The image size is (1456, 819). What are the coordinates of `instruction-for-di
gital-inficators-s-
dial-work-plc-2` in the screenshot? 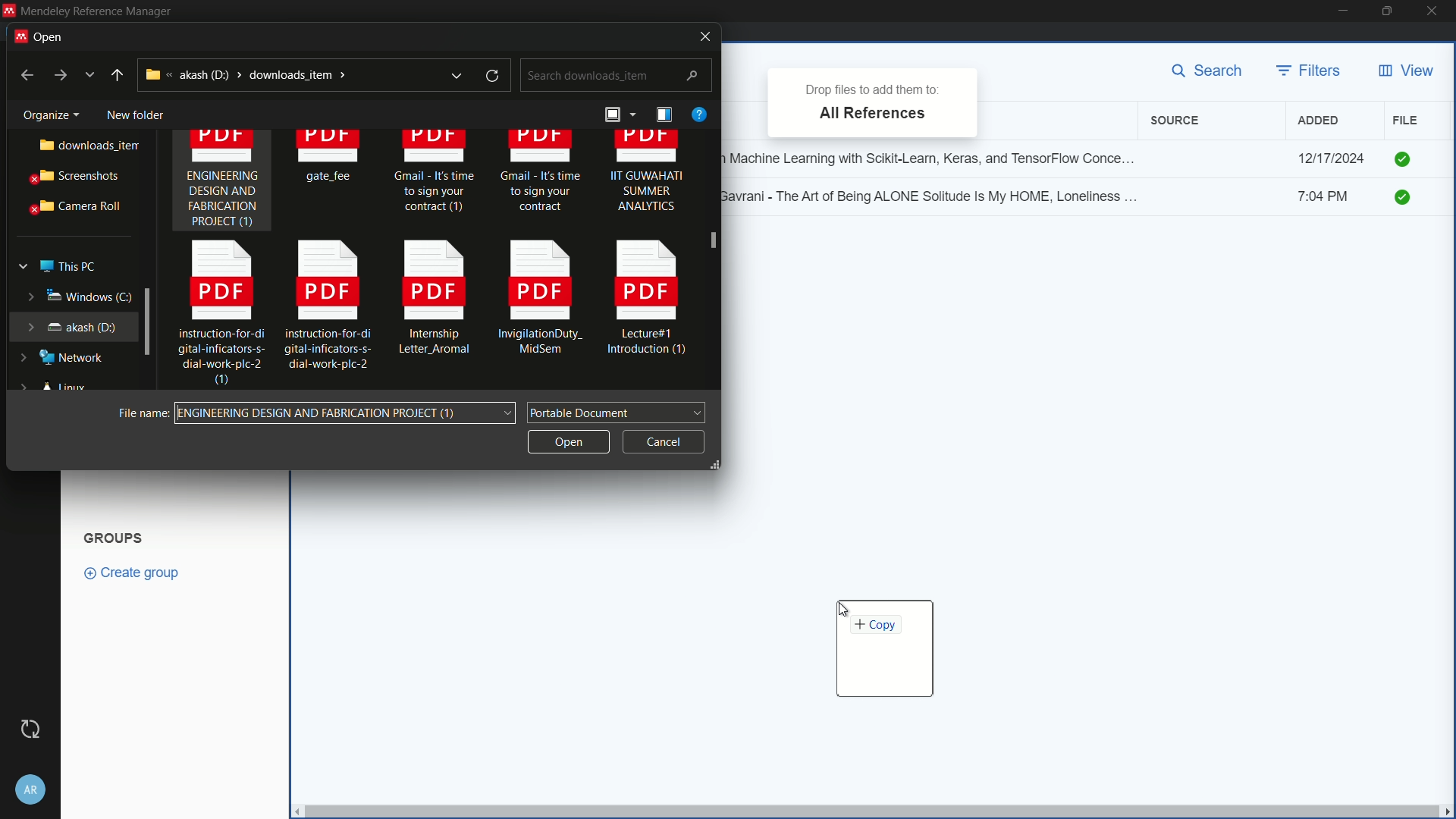 It's located at (328, 304).